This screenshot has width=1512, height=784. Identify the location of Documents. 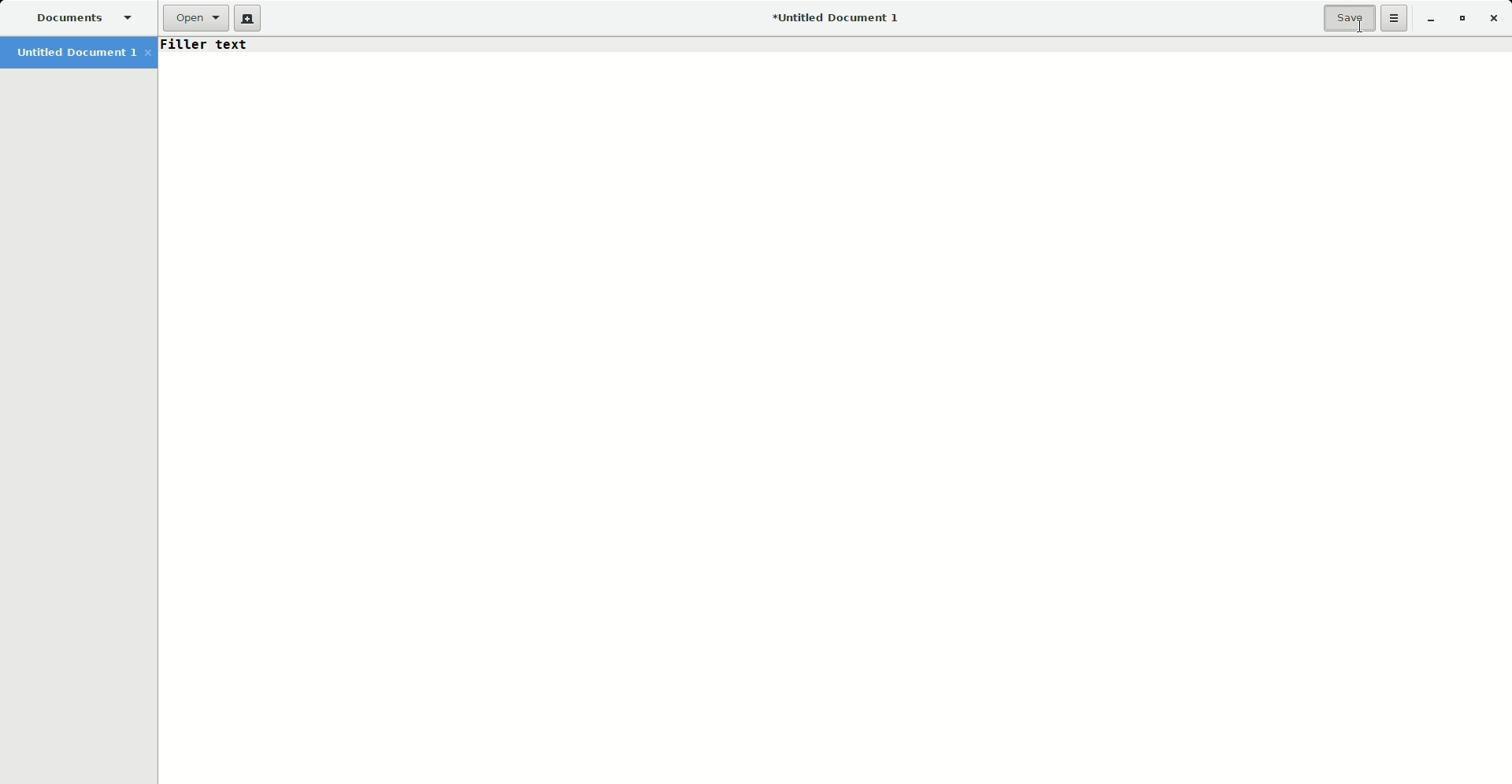
(84, 19).